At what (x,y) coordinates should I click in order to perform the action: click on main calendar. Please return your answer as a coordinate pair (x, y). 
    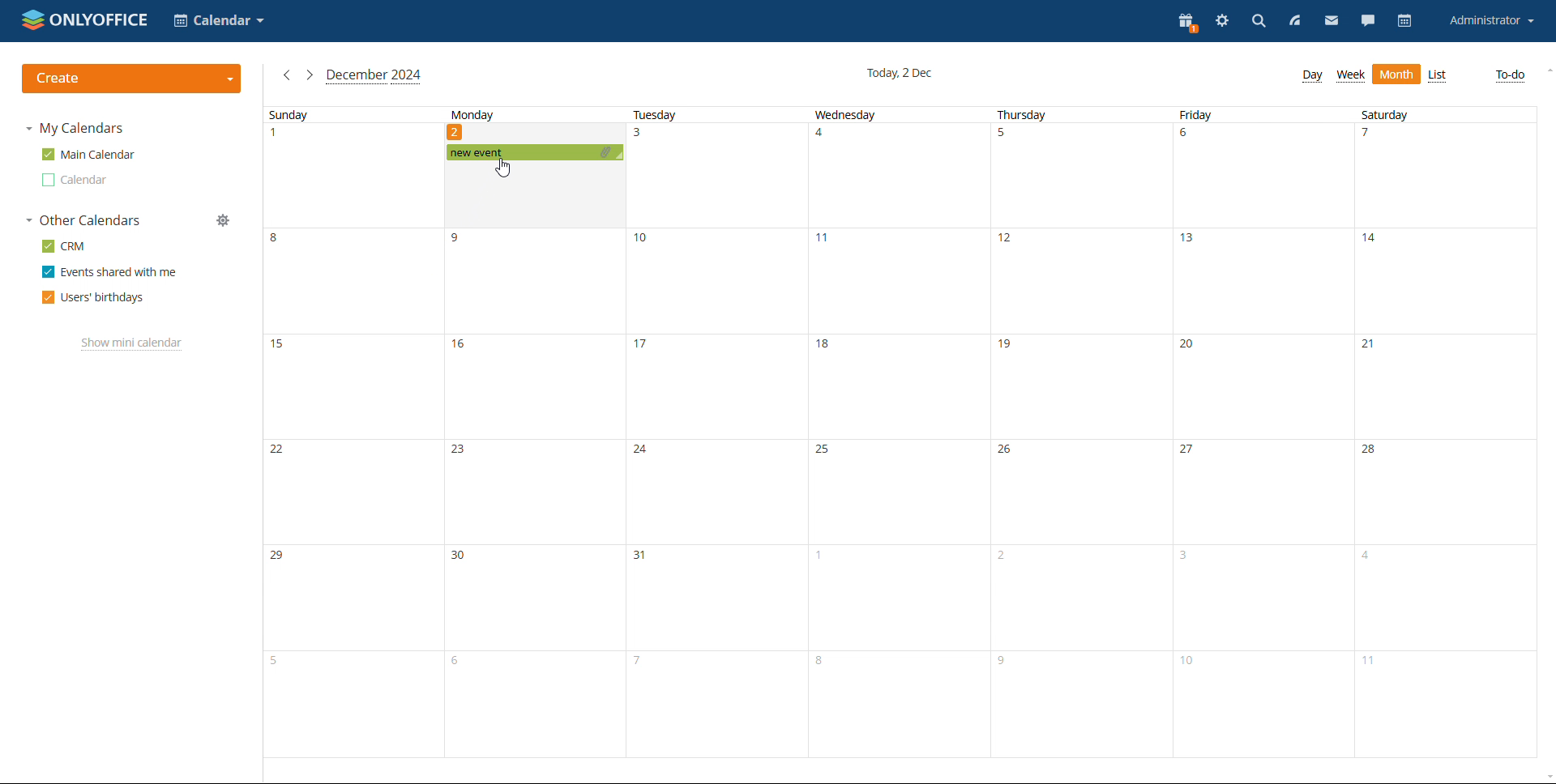
    Looking at the image, I should click on (88, 155).